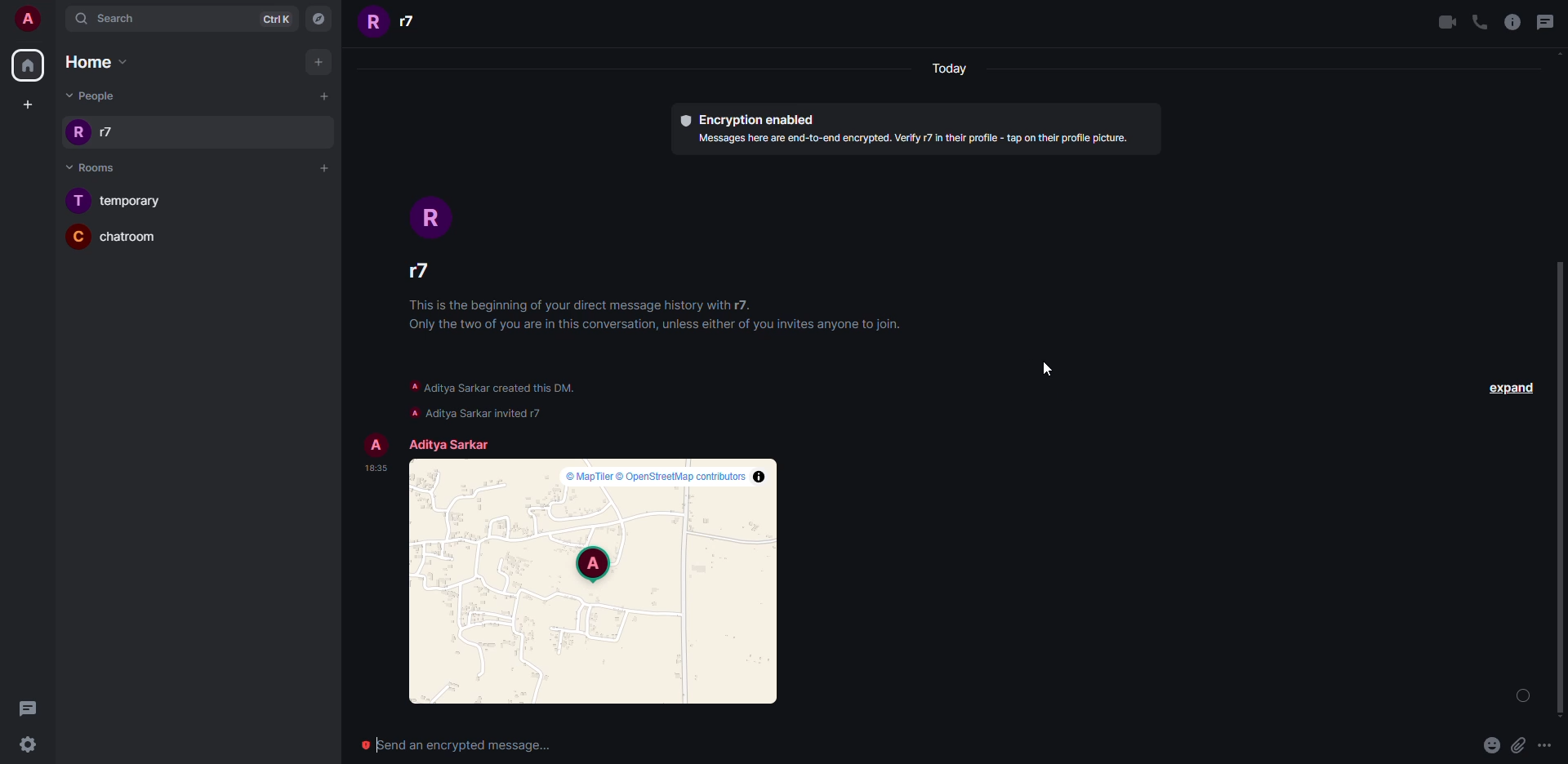  Describe the element at coordinates (452, 745) in the screenshot. I see `send encrypted message` at that location.